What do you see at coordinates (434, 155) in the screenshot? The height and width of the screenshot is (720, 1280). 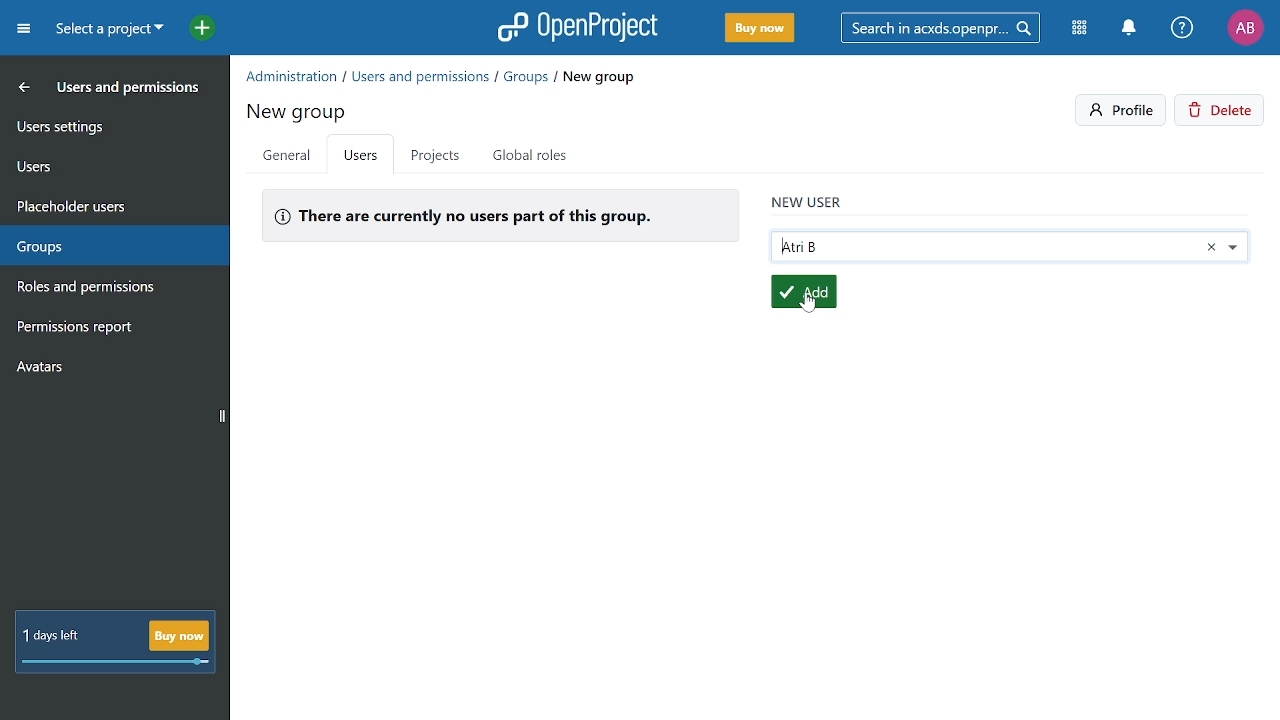 I see `Projects` at bounding box center [434, 155].